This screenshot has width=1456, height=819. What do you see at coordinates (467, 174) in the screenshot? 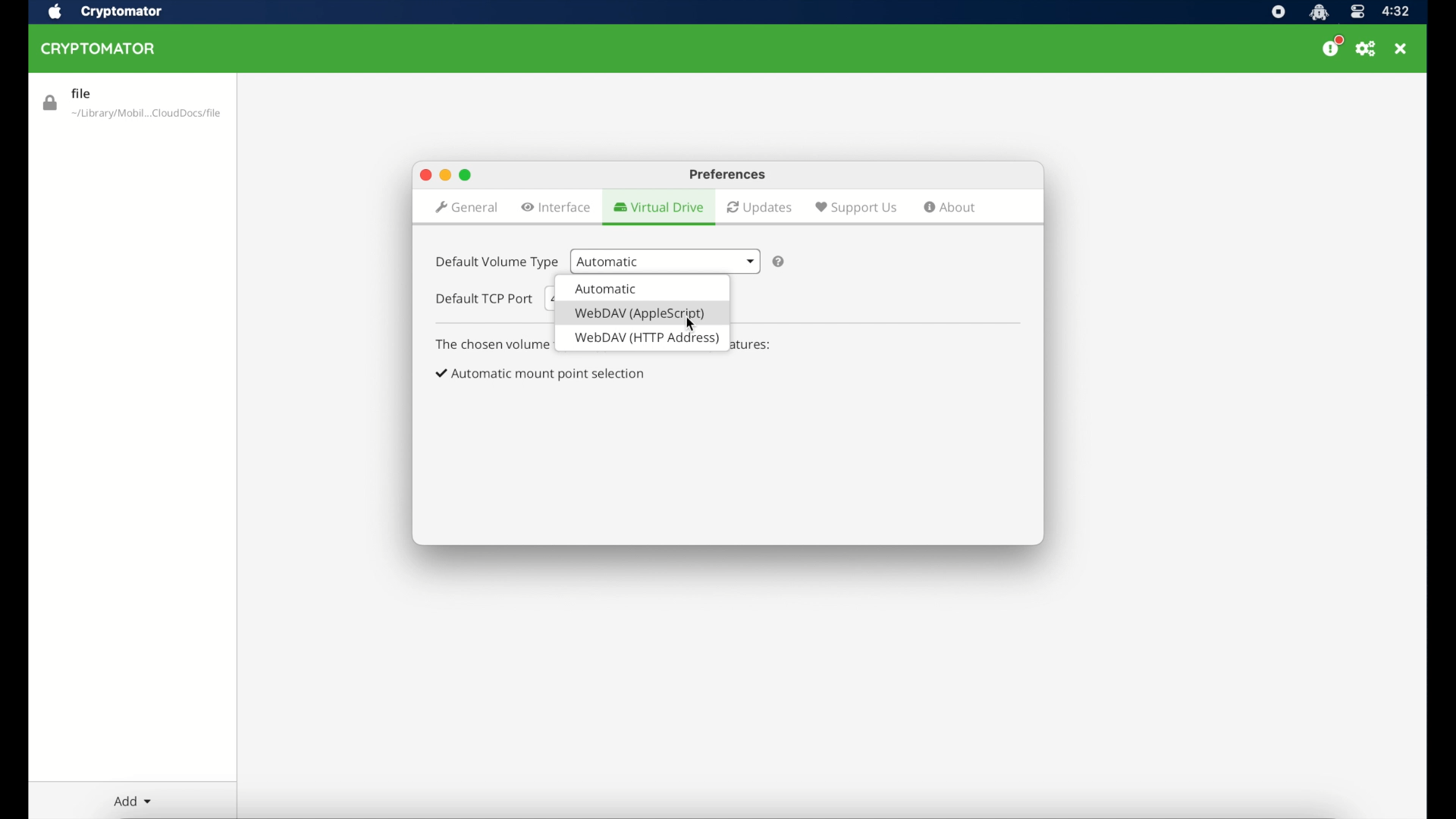
I see `maximize` at bounding box center [467, 174].